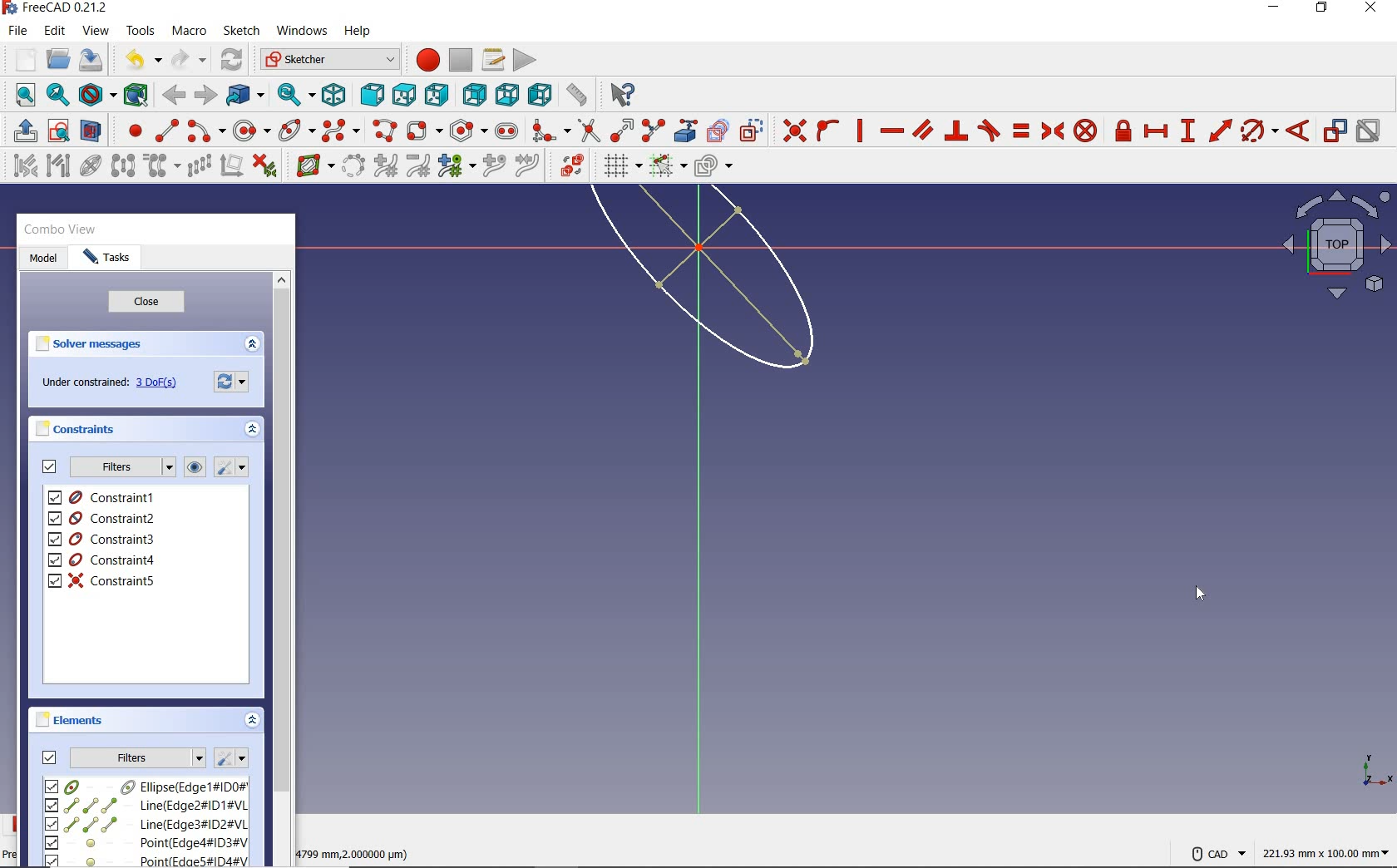 Image resolution: width=1397 pixels, height=868 pixels. Describe the element at coordinates (22, 131) in the screenshot. I see `leave sketch` at that location.